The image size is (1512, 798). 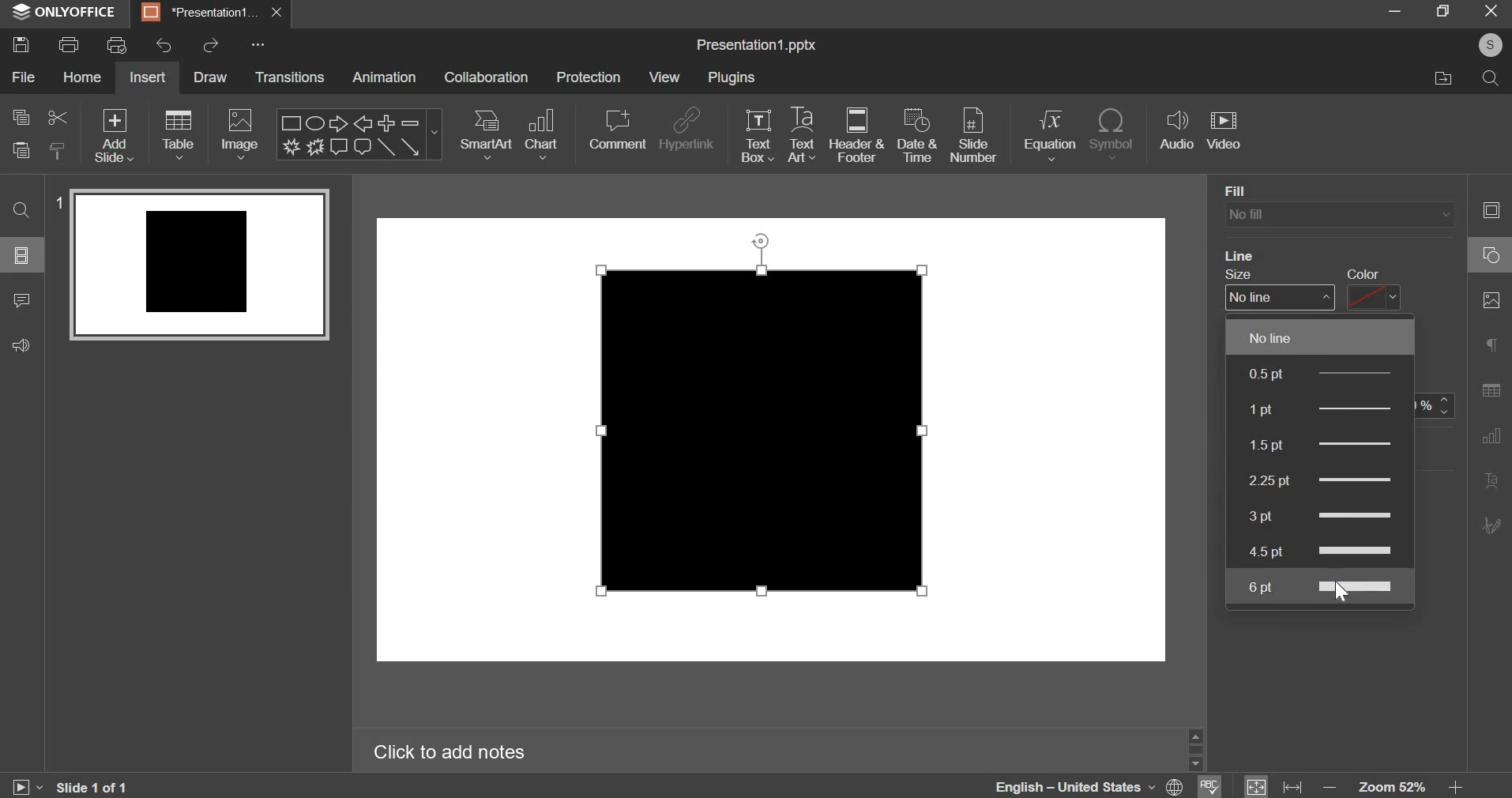 I want to click on animation, so click(x=384, y=77).